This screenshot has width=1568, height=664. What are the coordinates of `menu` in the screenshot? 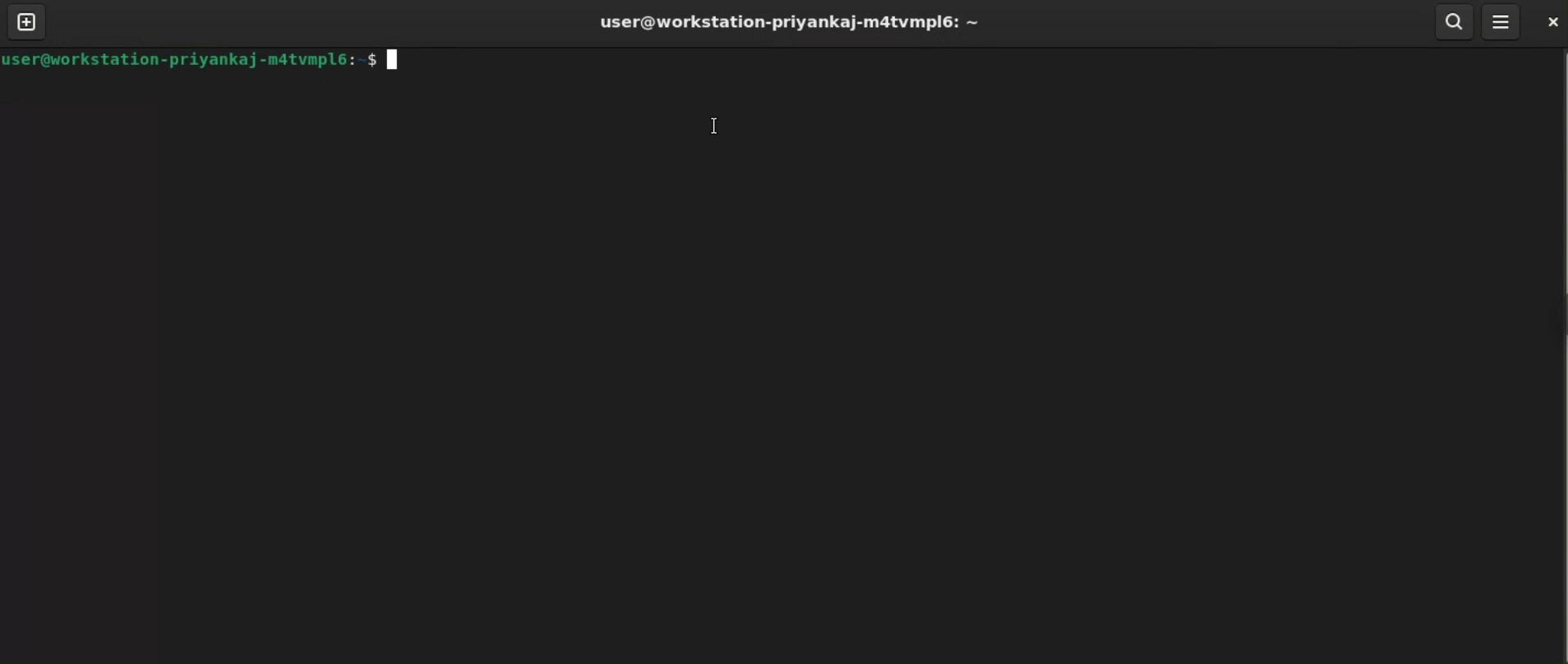 It's located at (1500, 21).